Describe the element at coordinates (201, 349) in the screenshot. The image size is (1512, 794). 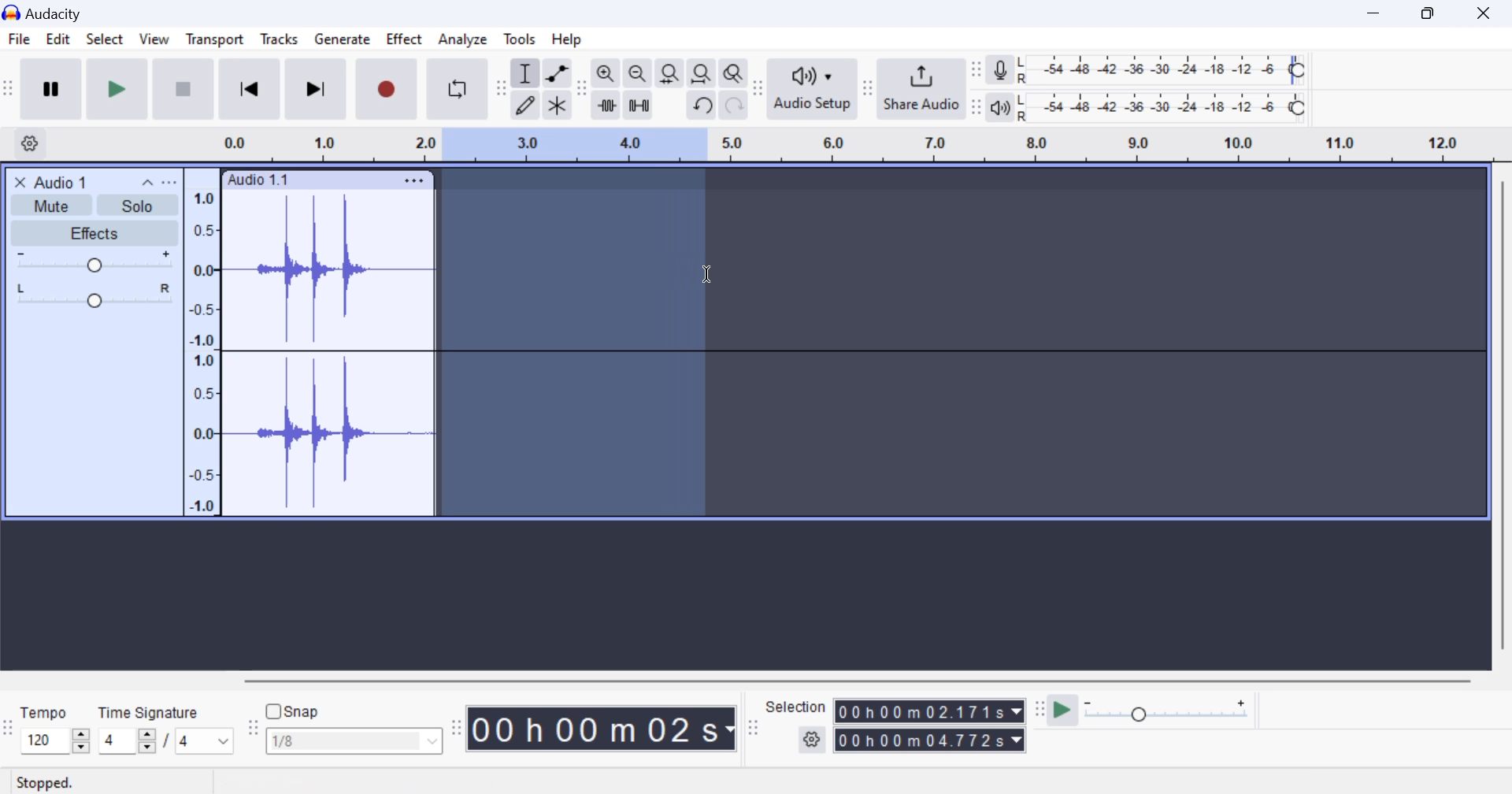
I see `Scale to measure intensity of waves in track` at that location.